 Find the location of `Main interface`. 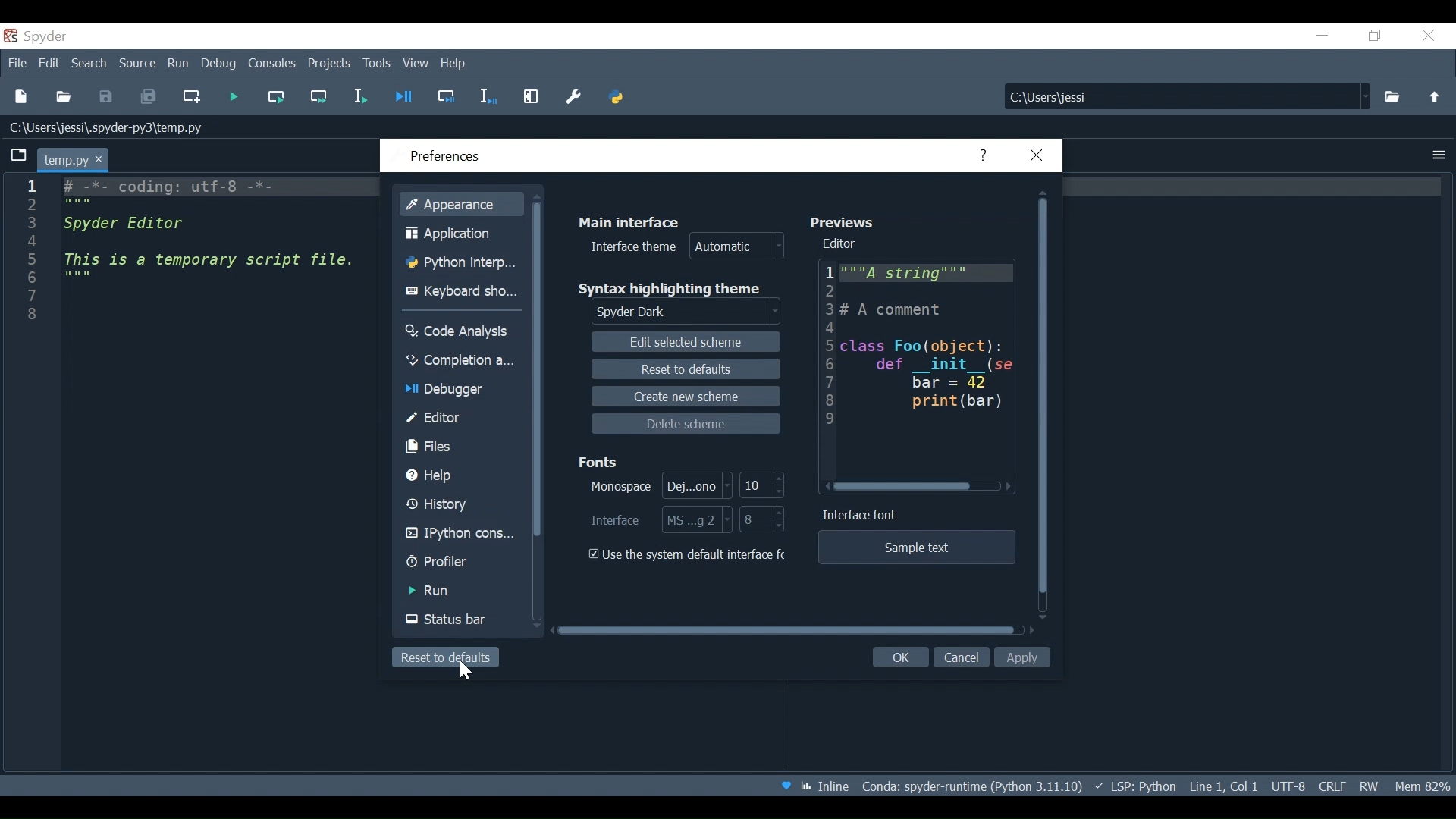

Main interface is located at coordinates (630, 222).